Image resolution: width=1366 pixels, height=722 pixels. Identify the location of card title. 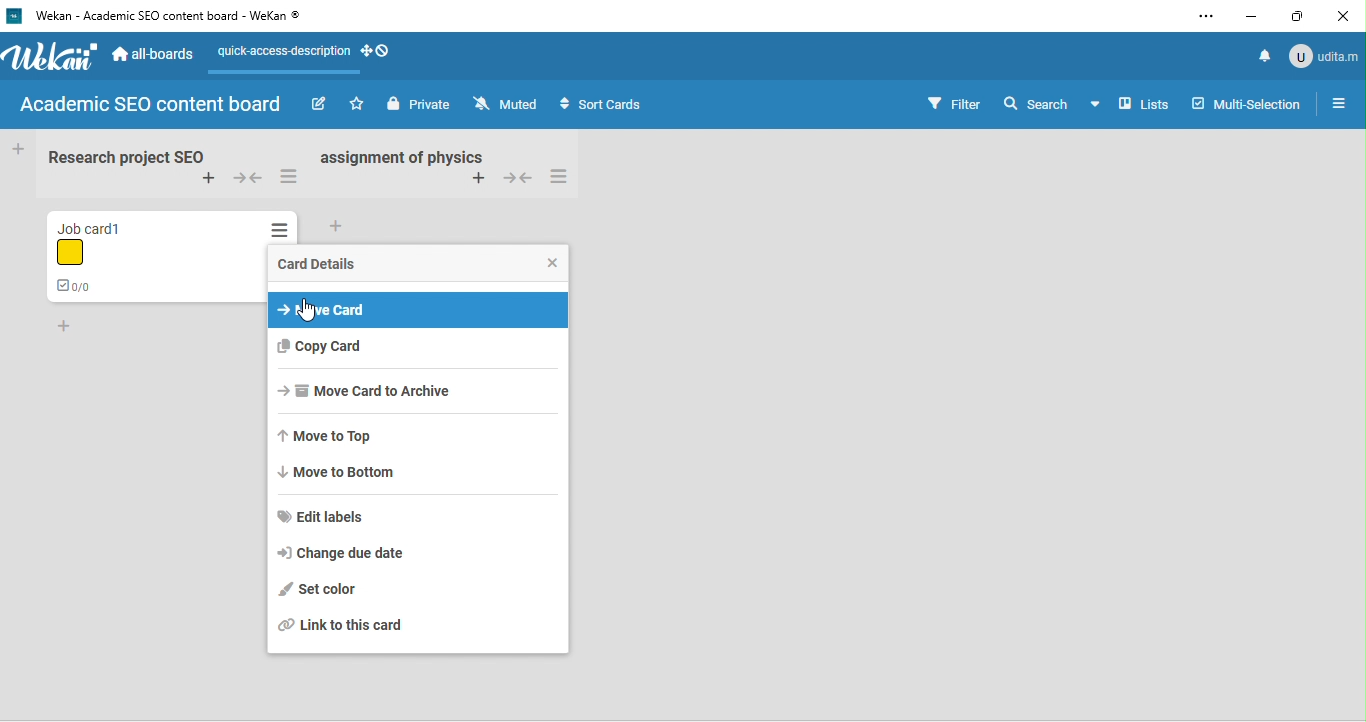
(105, 222).